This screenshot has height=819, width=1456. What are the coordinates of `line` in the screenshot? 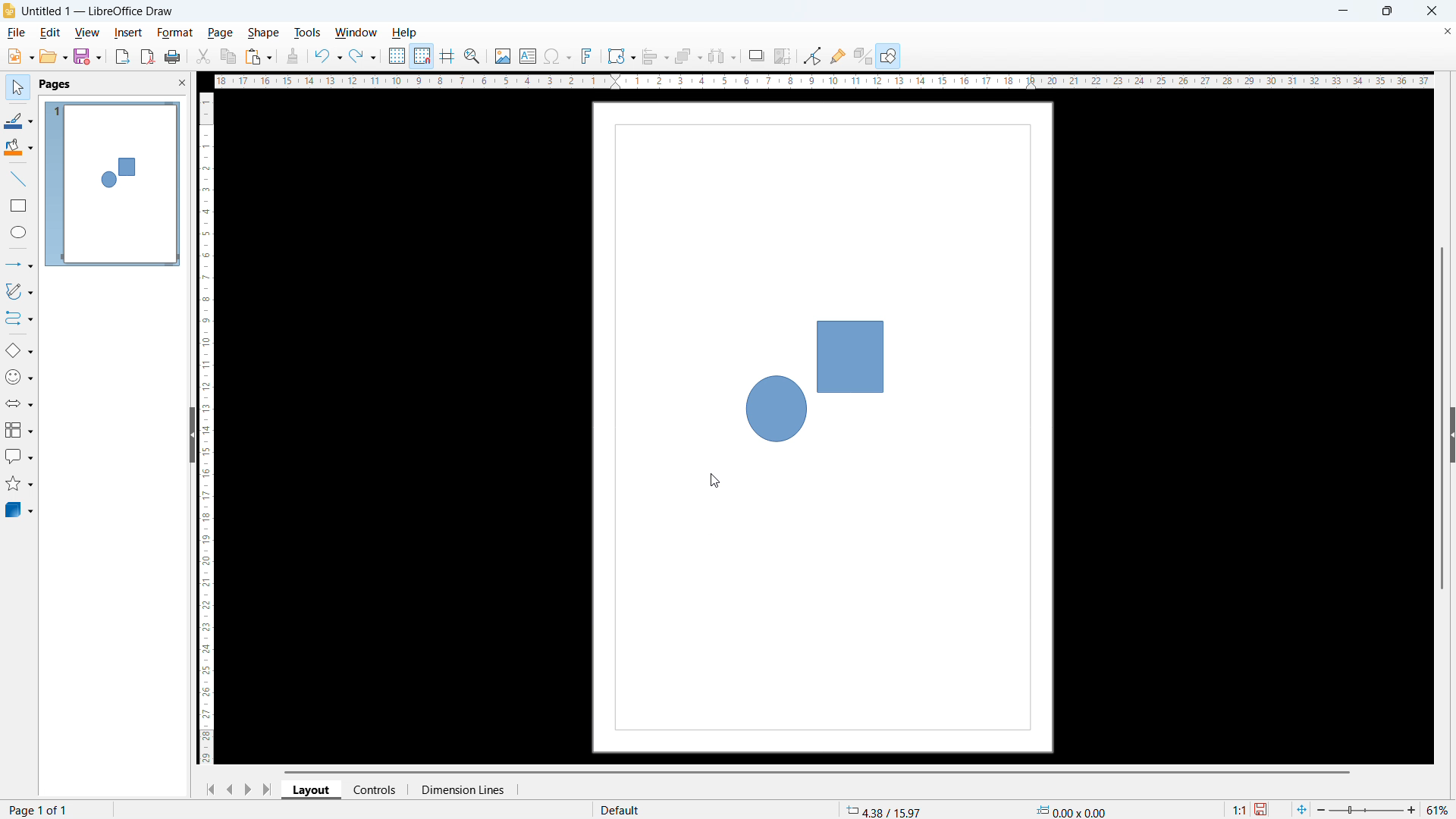 It's located at (19, 179).